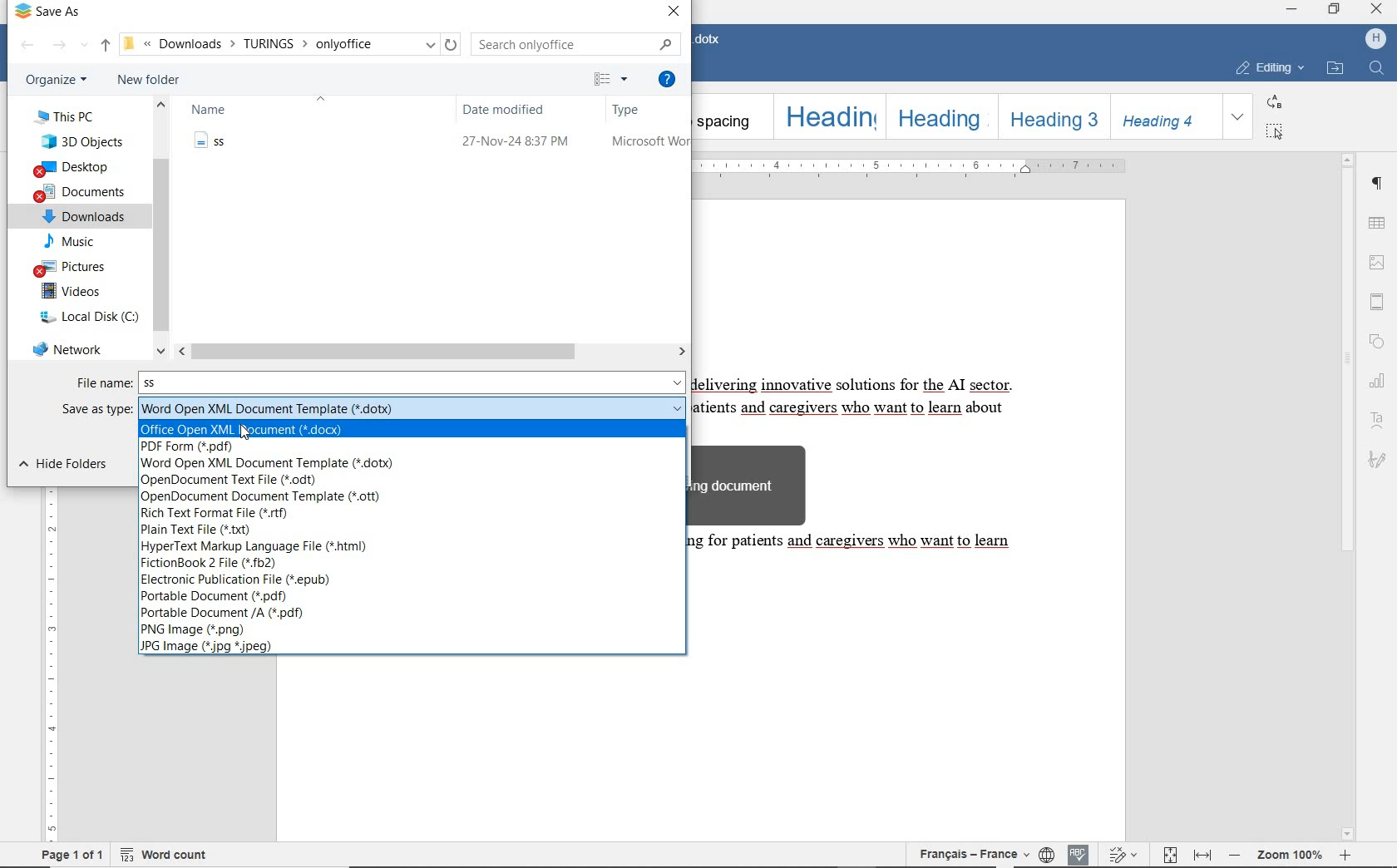 The height and width of the screenshot is (868, 1397). I want to click on FIND, so click(1376, 70).